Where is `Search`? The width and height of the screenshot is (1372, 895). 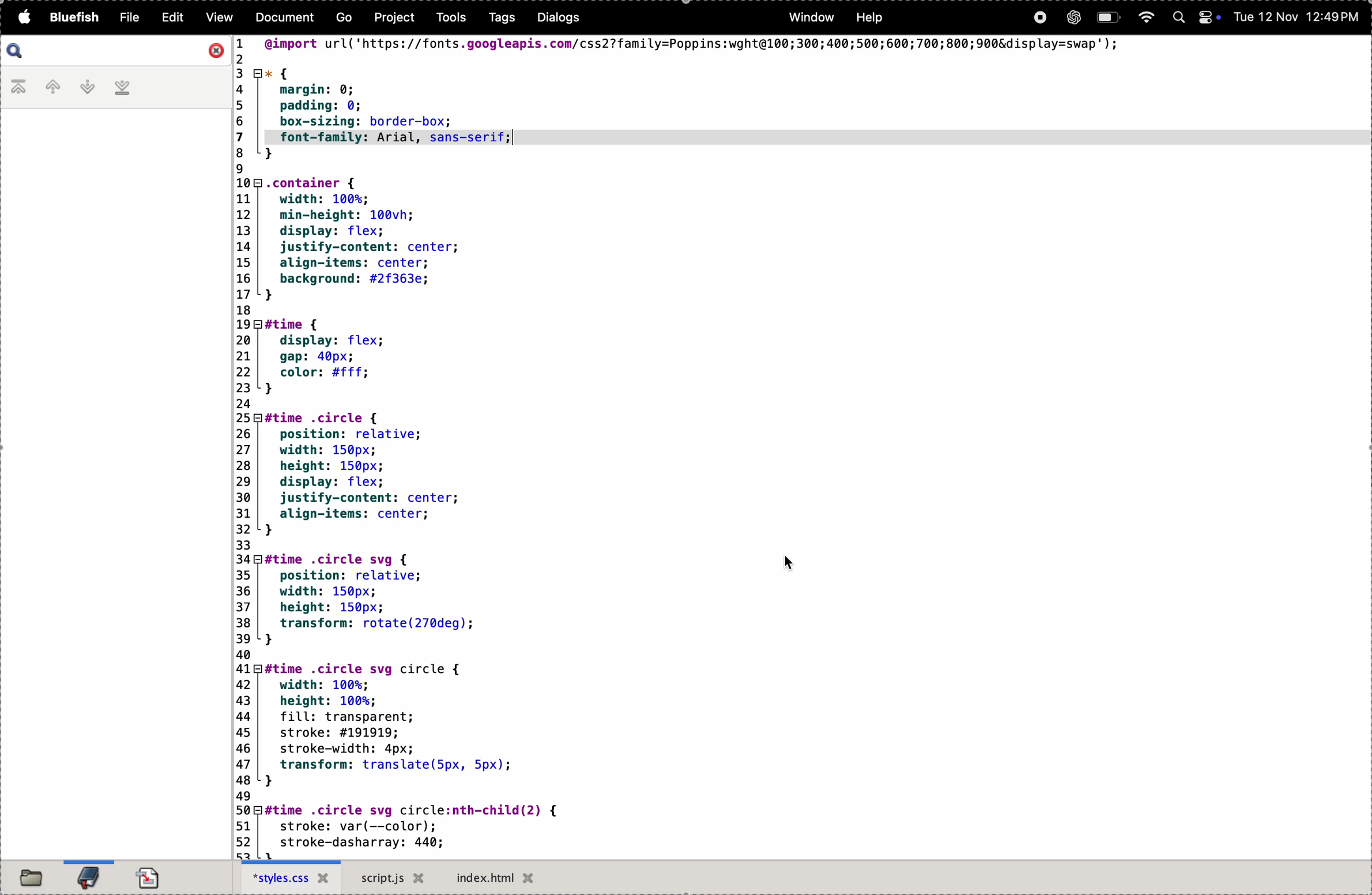 Search is located at coordinates (16, 50).